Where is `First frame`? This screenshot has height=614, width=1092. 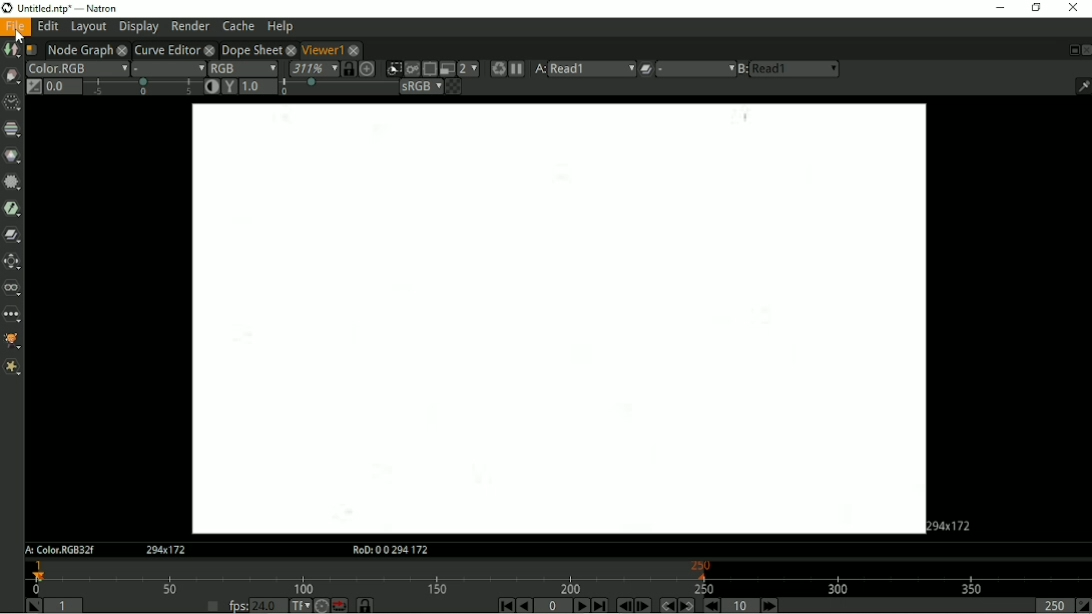
First frame is located at coordinates (505, 606).